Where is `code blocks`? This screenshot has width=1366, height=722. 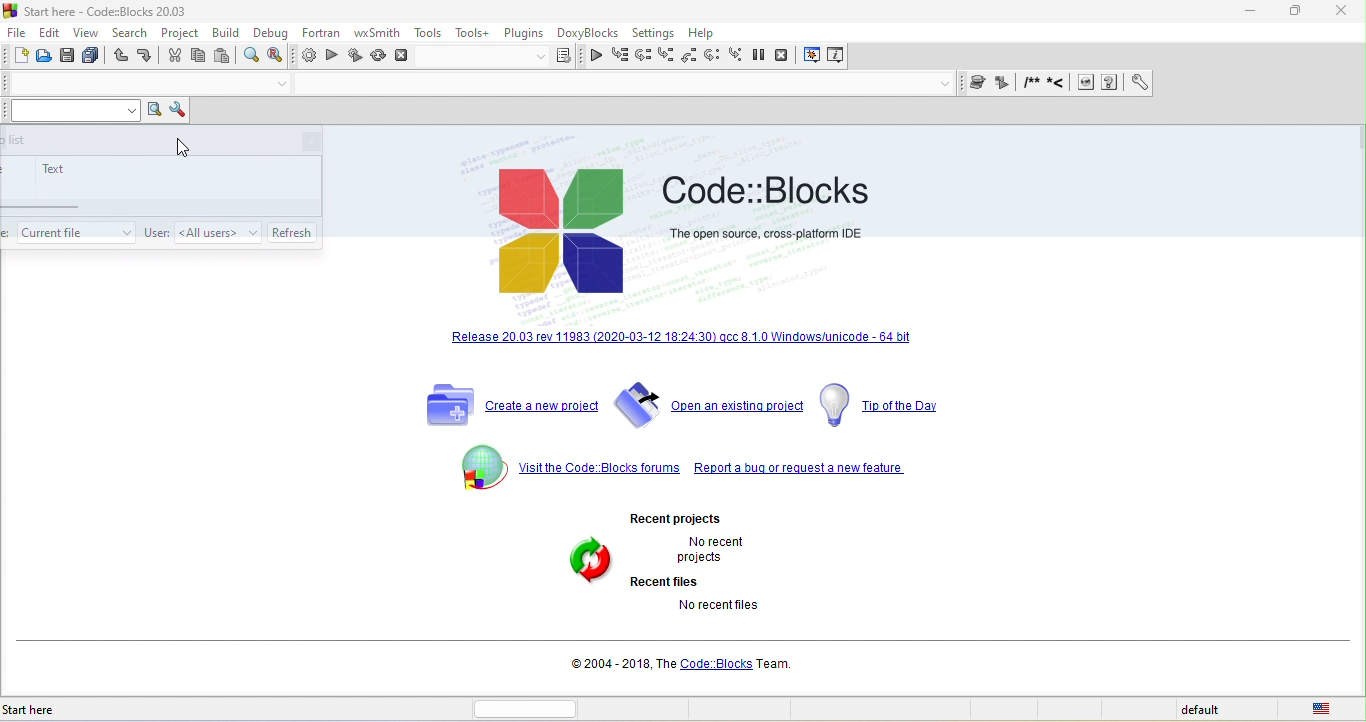
code blocks is located at coordinates (564, 233).